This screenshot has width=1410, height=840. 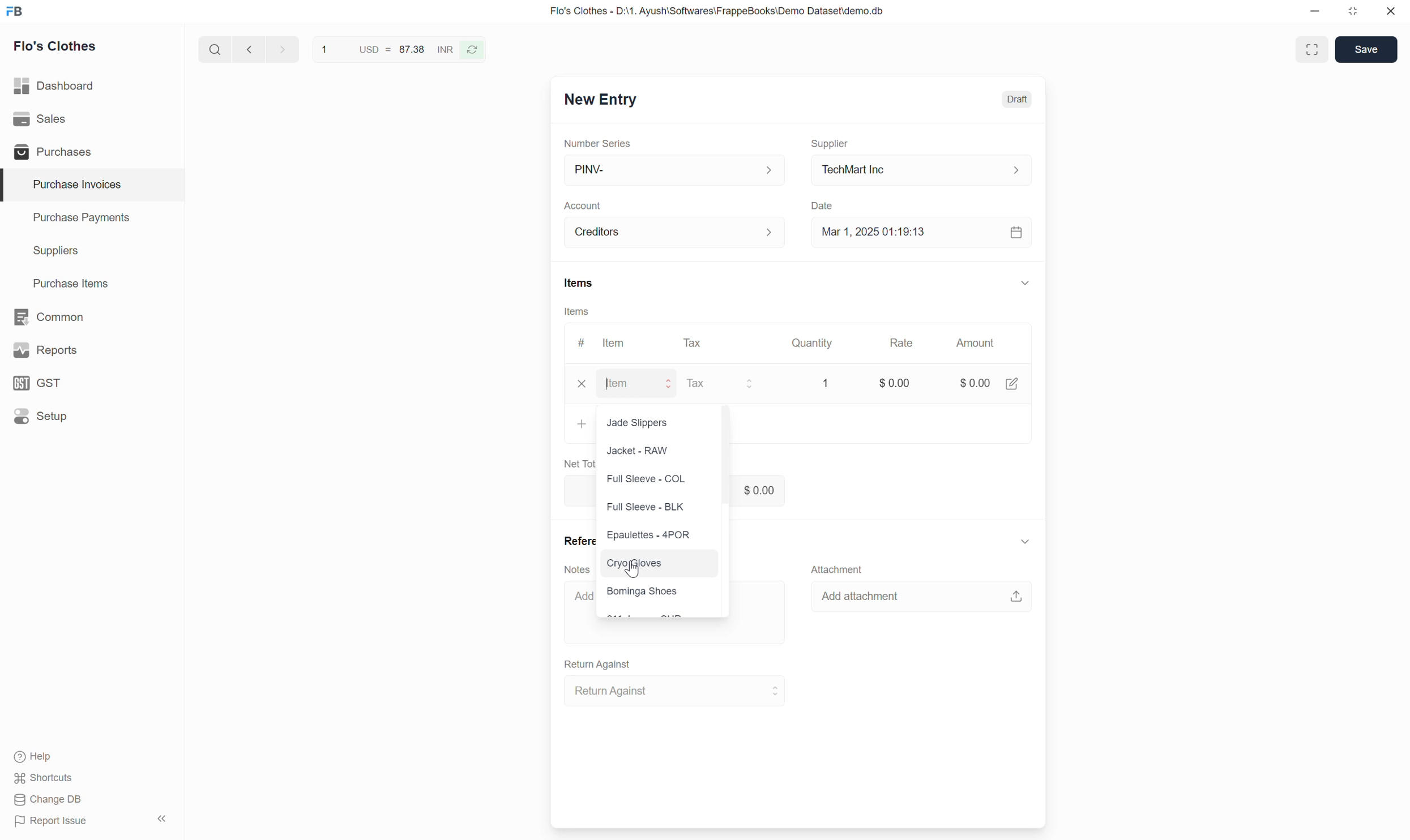 What do you see at coordinates (46, 758) in the screenshot?
I see ` Help` at bounding box center [46, 758].